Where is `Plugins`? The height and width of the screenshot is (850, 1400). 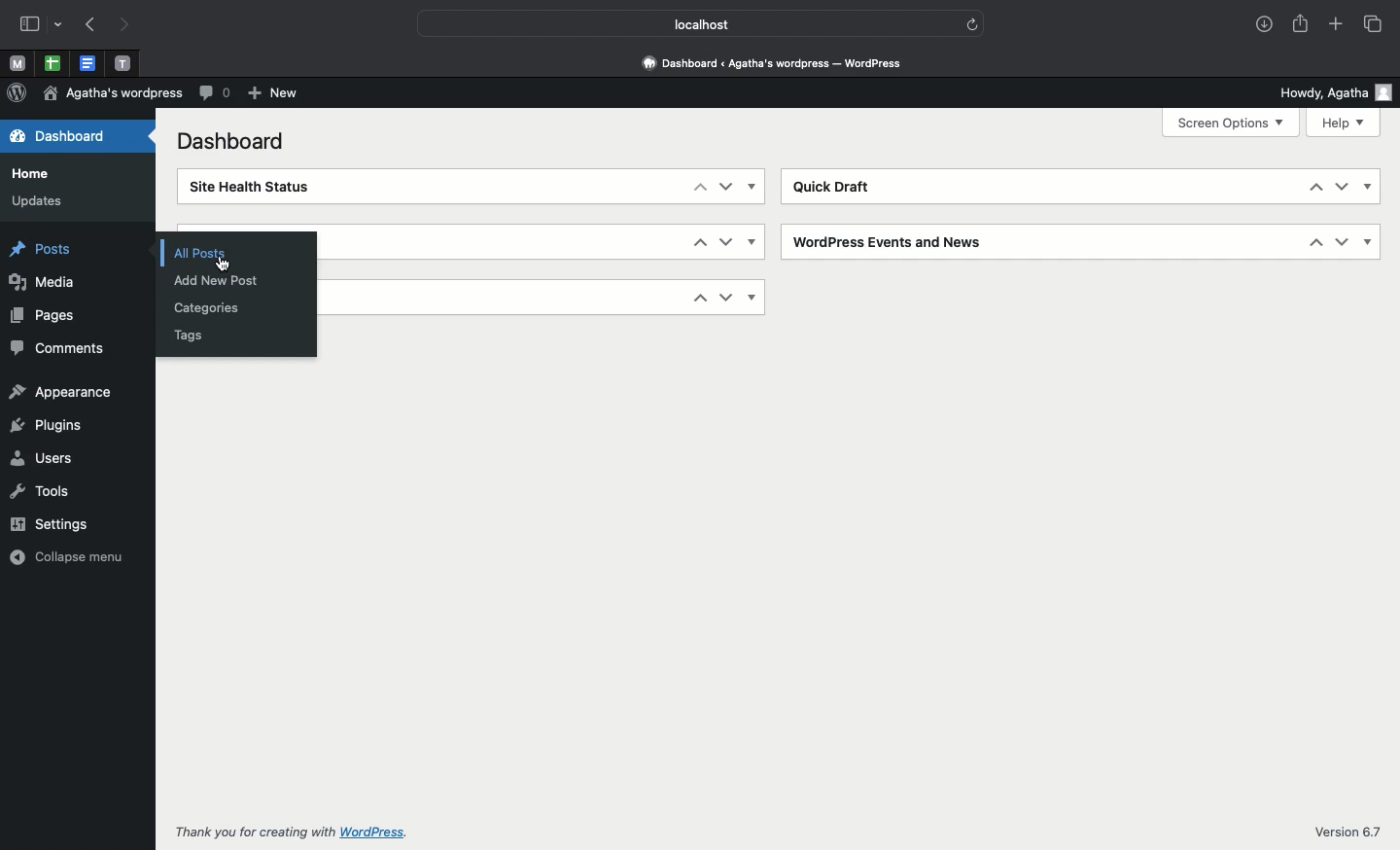
Plugins is located at coordinates (47, 421).